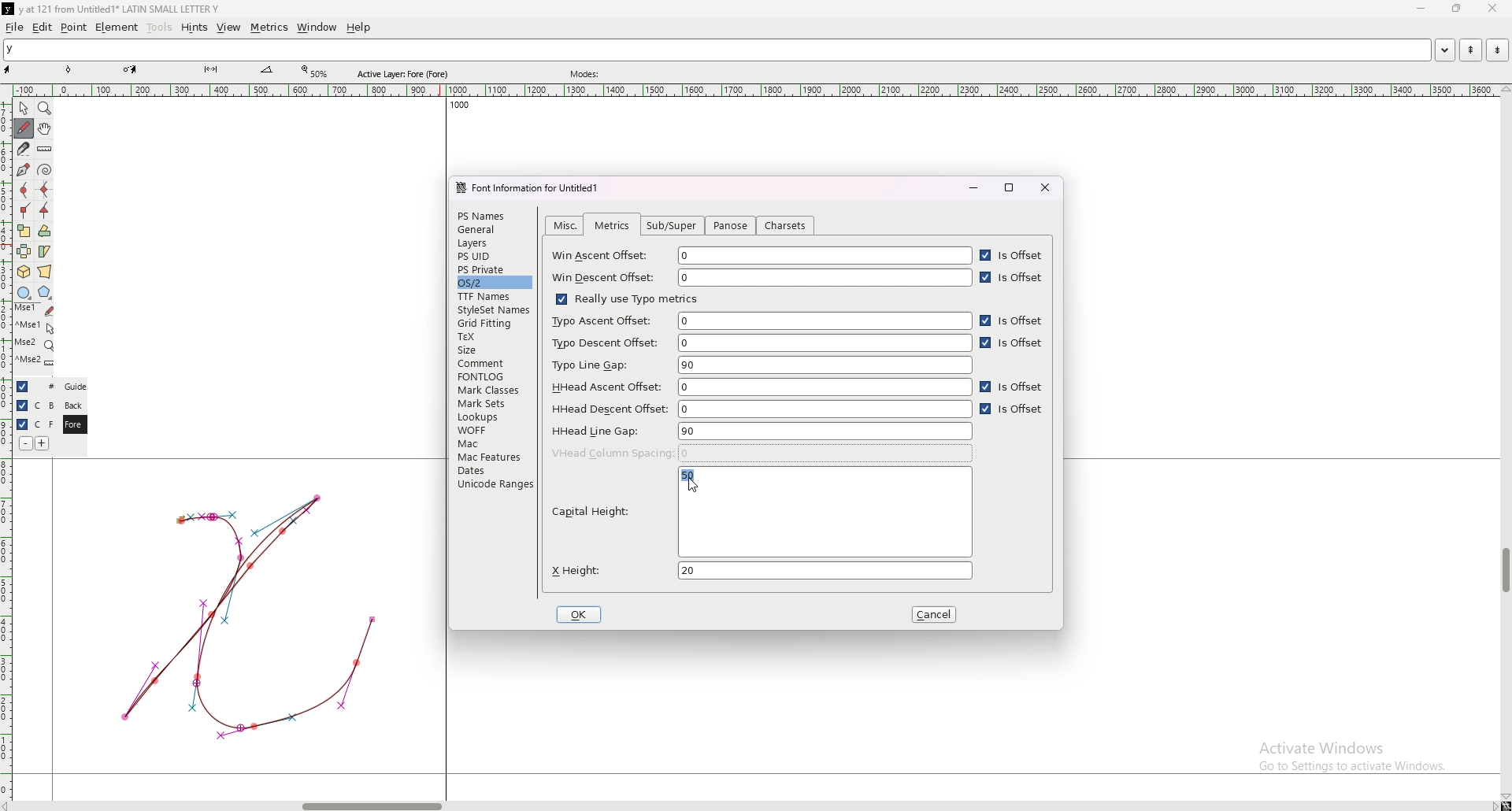 The image size is (1512, 811). What do you see at coordinates (973, 187) in the screenshot?
I see `minimize` at bounding box center [973, 187].